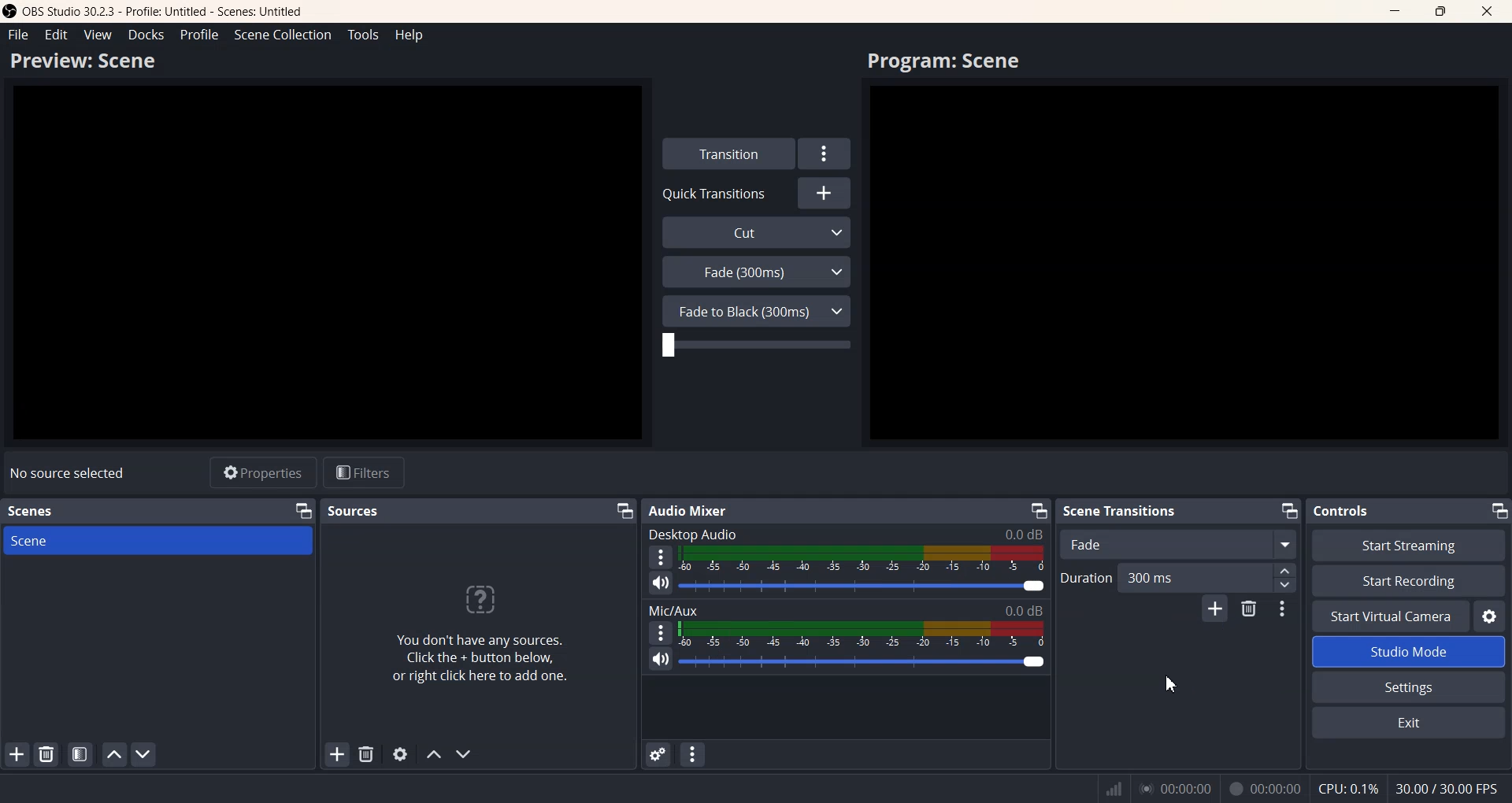  What do you see at coordinates (861, 661) in the screenshot?
I see `Volume Adjuster` at bounding box center [861, 661].